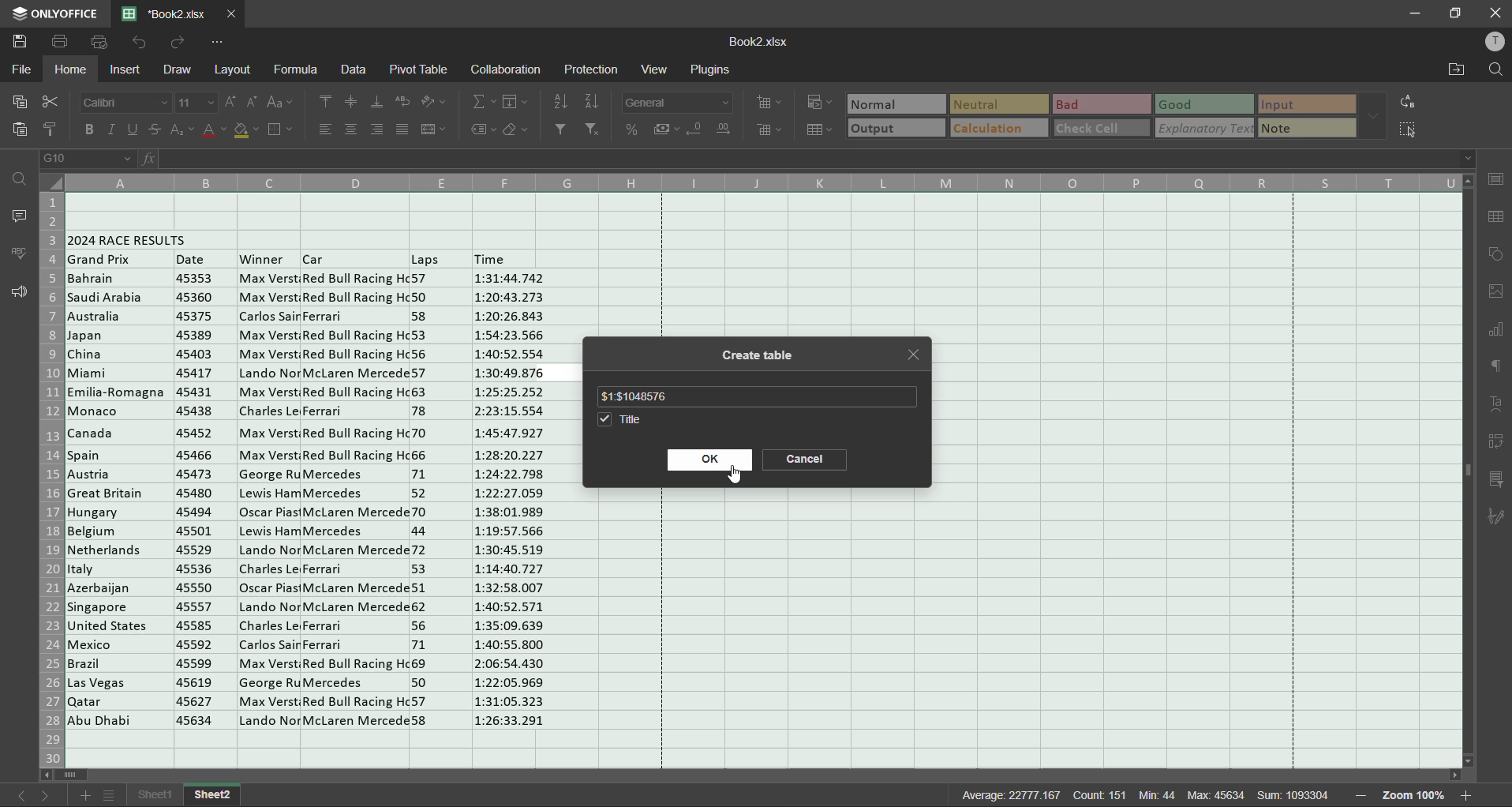 This screenshot has width=1512, height=807. I want to click on save, so click(22, 43).